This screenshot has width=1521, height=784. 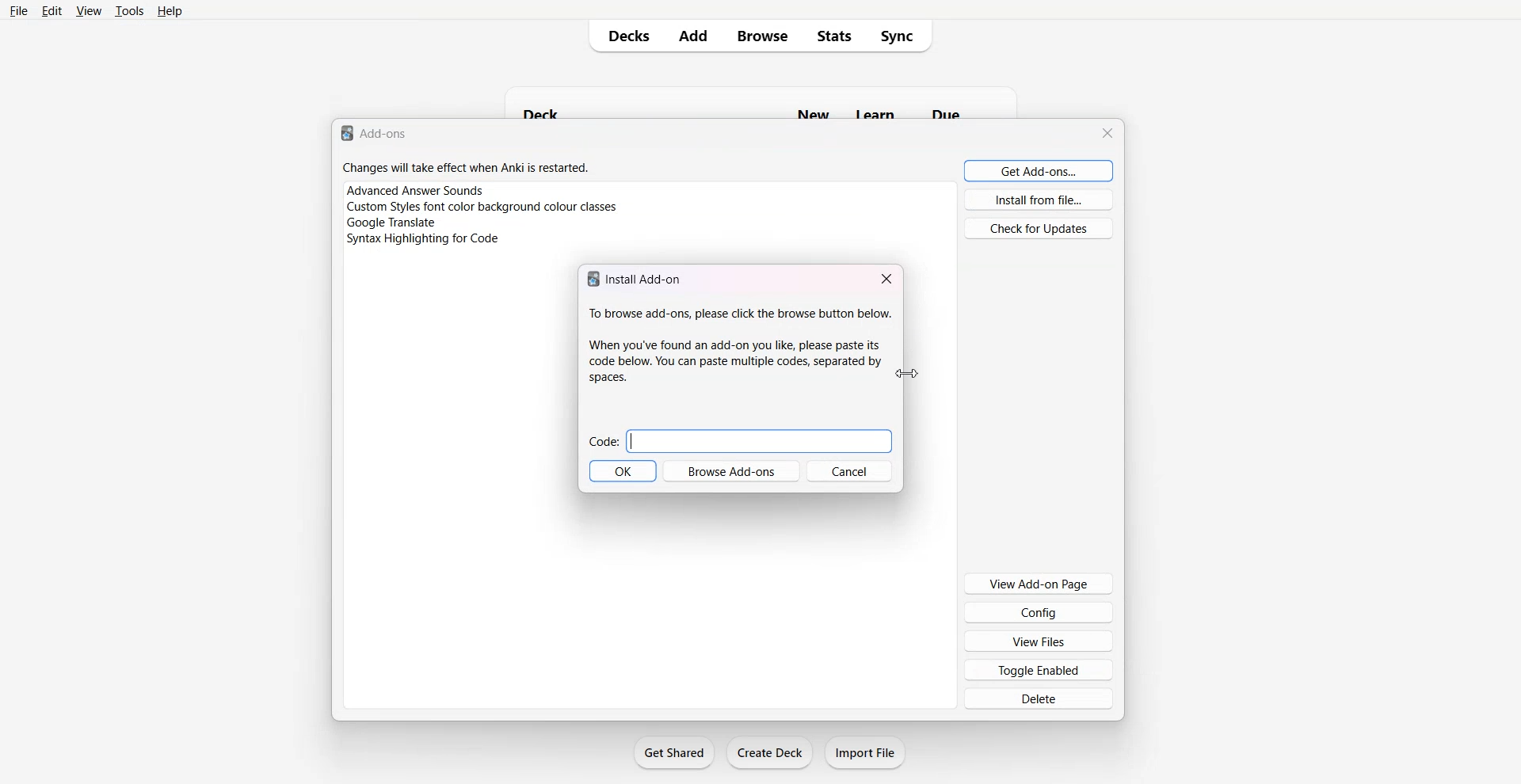 I want to click on Browse Add-ons, so click(x=731, y=471).